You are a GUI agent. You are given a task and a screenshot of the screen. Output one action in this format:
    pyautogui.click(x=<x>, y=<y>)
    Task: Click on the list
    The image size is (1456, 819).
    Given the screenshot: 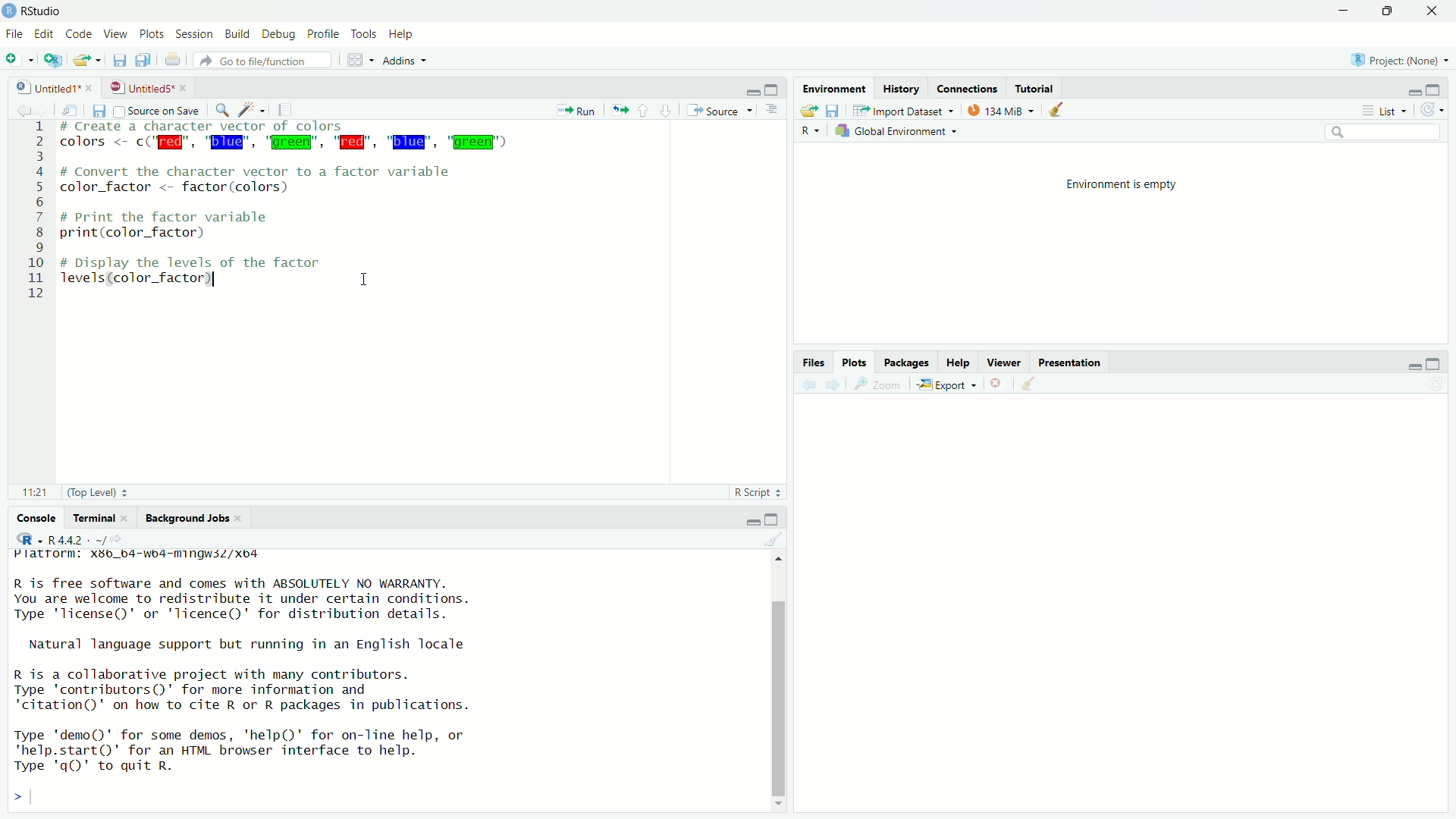 What is the action you would take?
    pyautogui.click(x=1382, y=111)
    